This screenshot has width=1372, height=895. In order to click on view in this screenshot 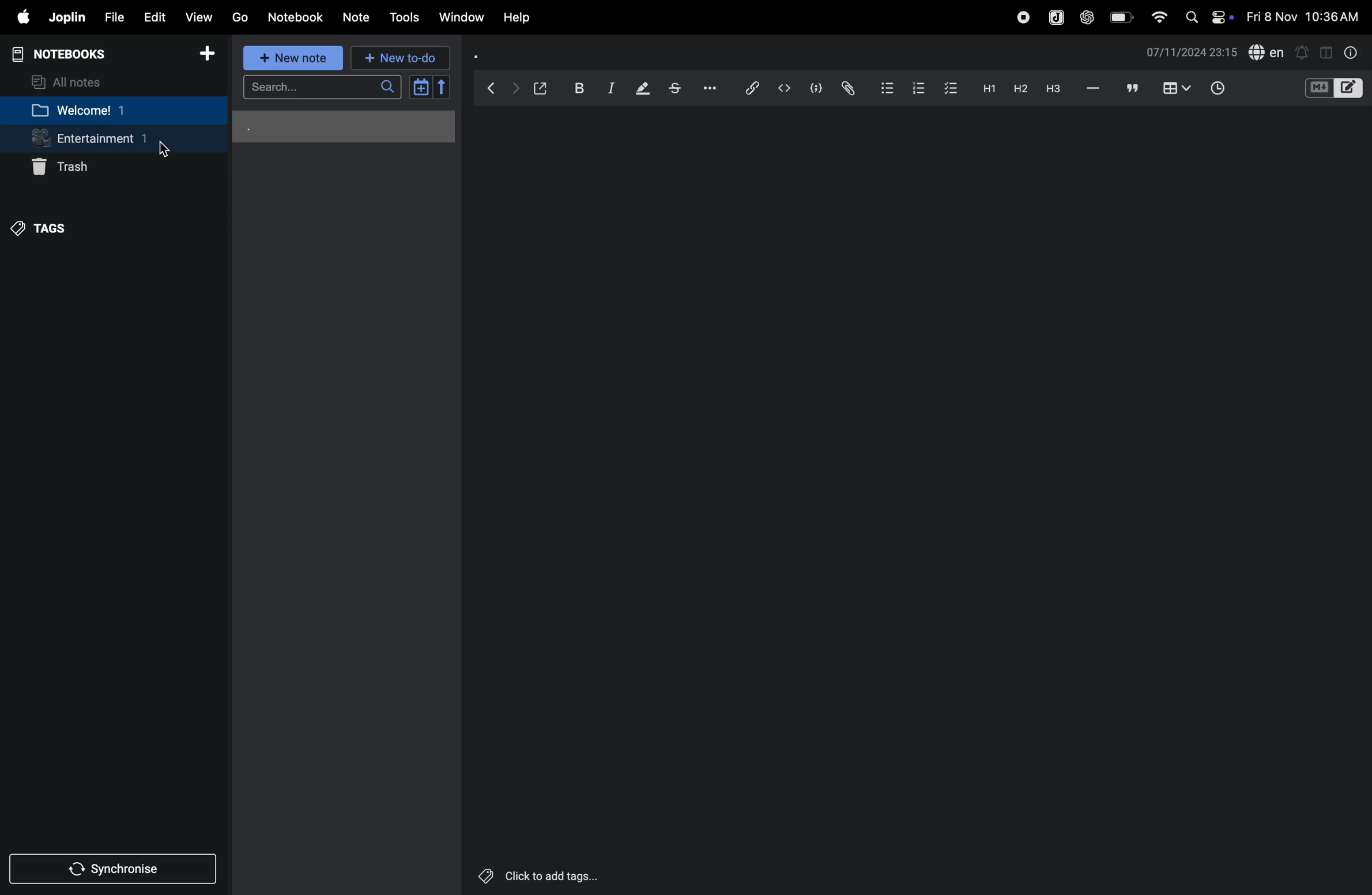, I will do `click(200, 18)`.